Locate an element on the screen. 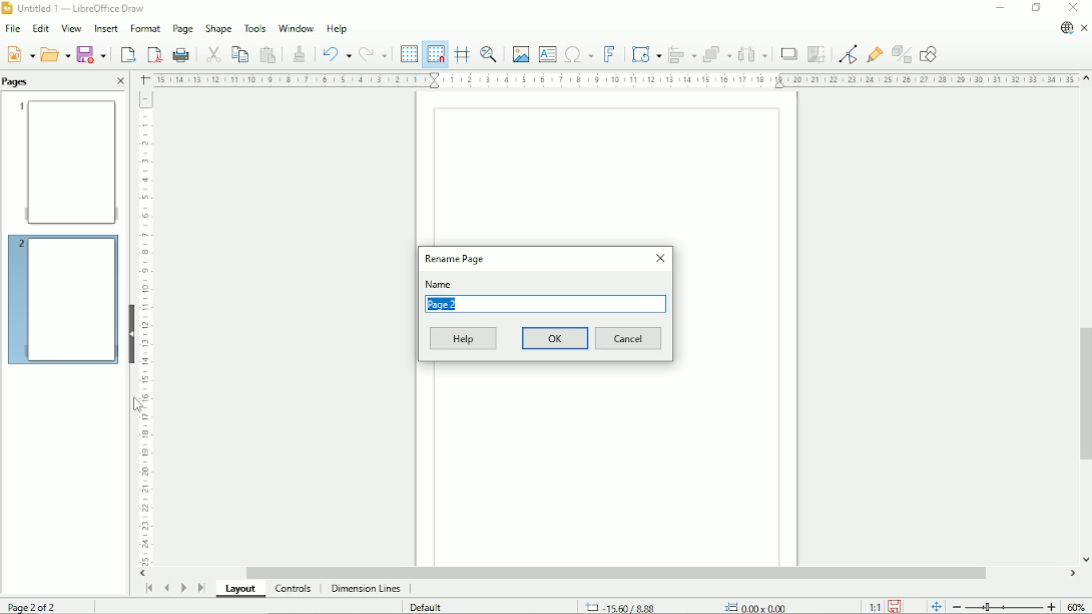 The width and height of the screenshot is (1092, 614). Page is located at coordinates (182, 29).